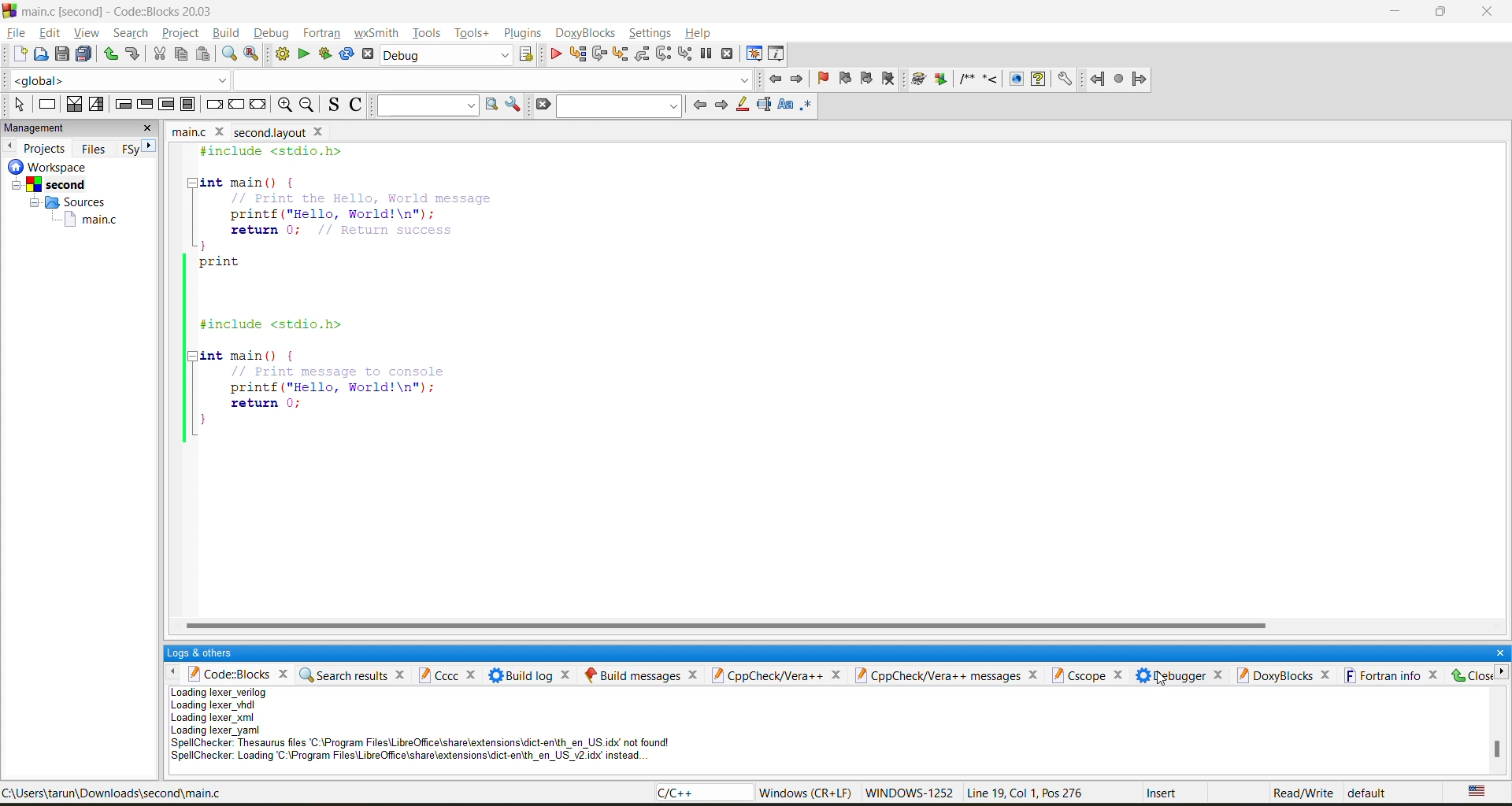 The width and height of the screenshot is (1512, 806). I want to click on fortran info, so click(1390, 675).